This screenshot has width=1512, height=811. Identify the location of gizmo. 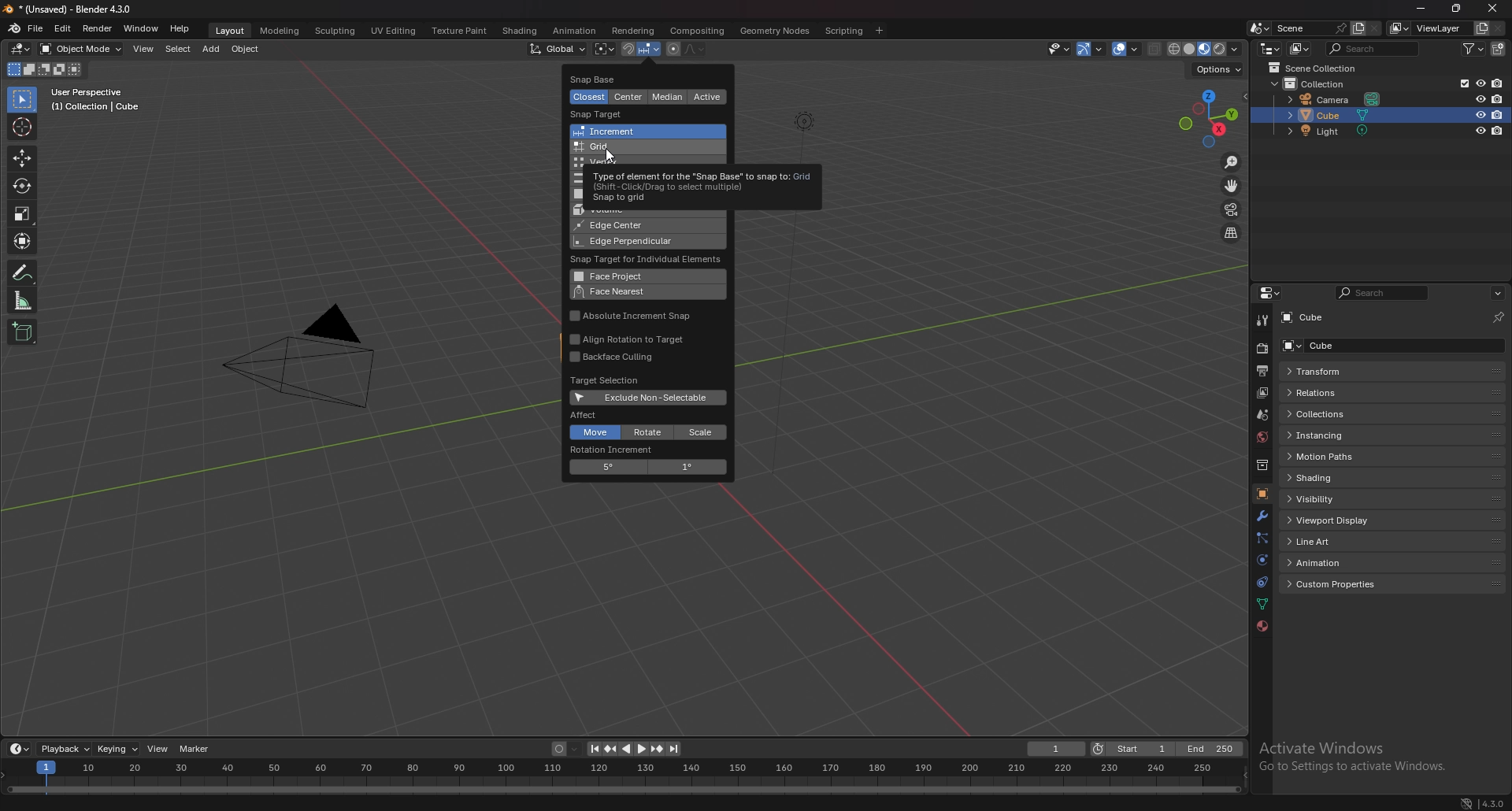
(1092, 49).